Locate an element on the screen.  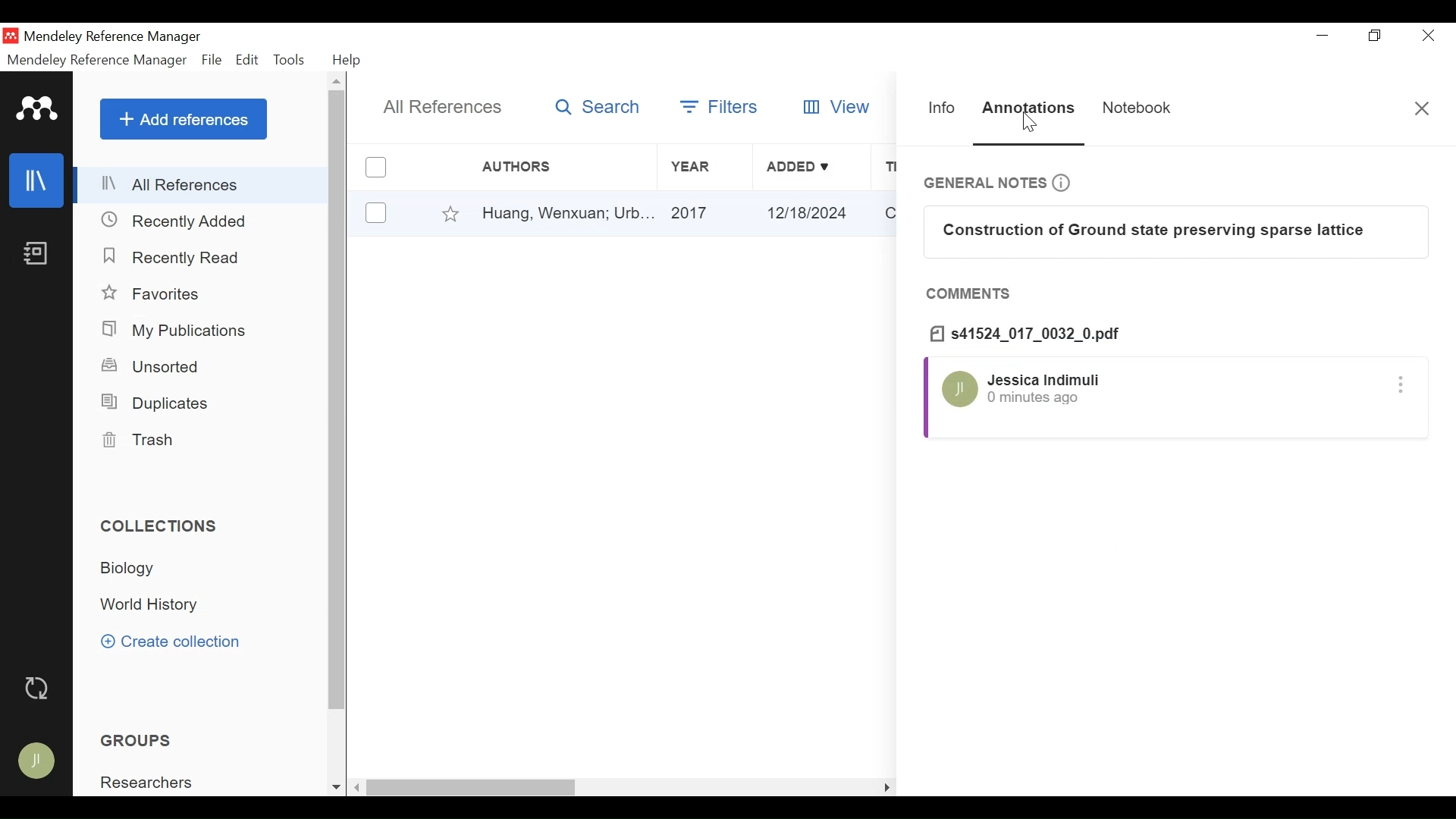
Added is located at coordinates (811, 168).